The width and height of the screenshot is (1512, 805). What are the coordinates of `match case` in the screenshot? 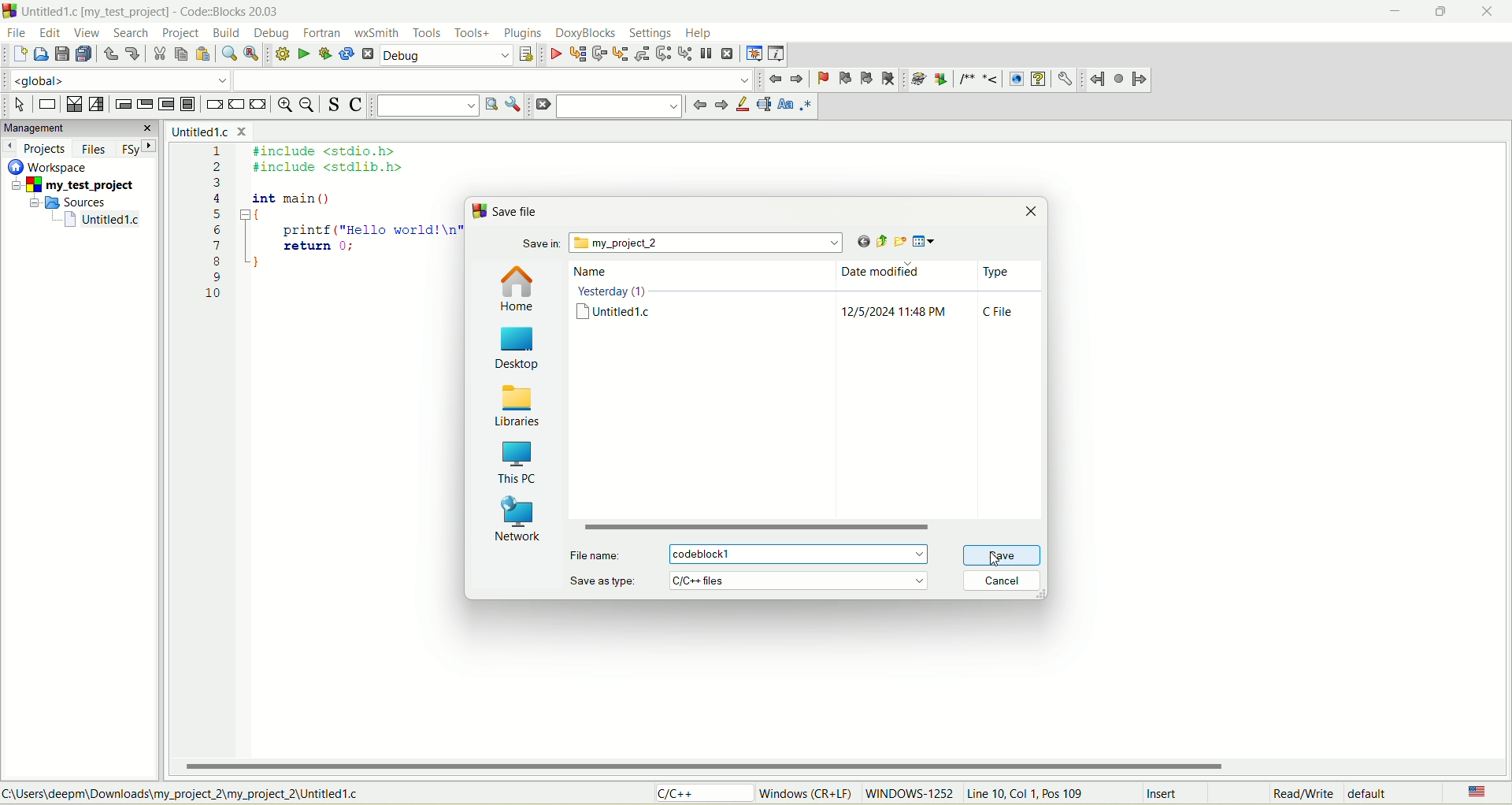 It's located at (787, 104).